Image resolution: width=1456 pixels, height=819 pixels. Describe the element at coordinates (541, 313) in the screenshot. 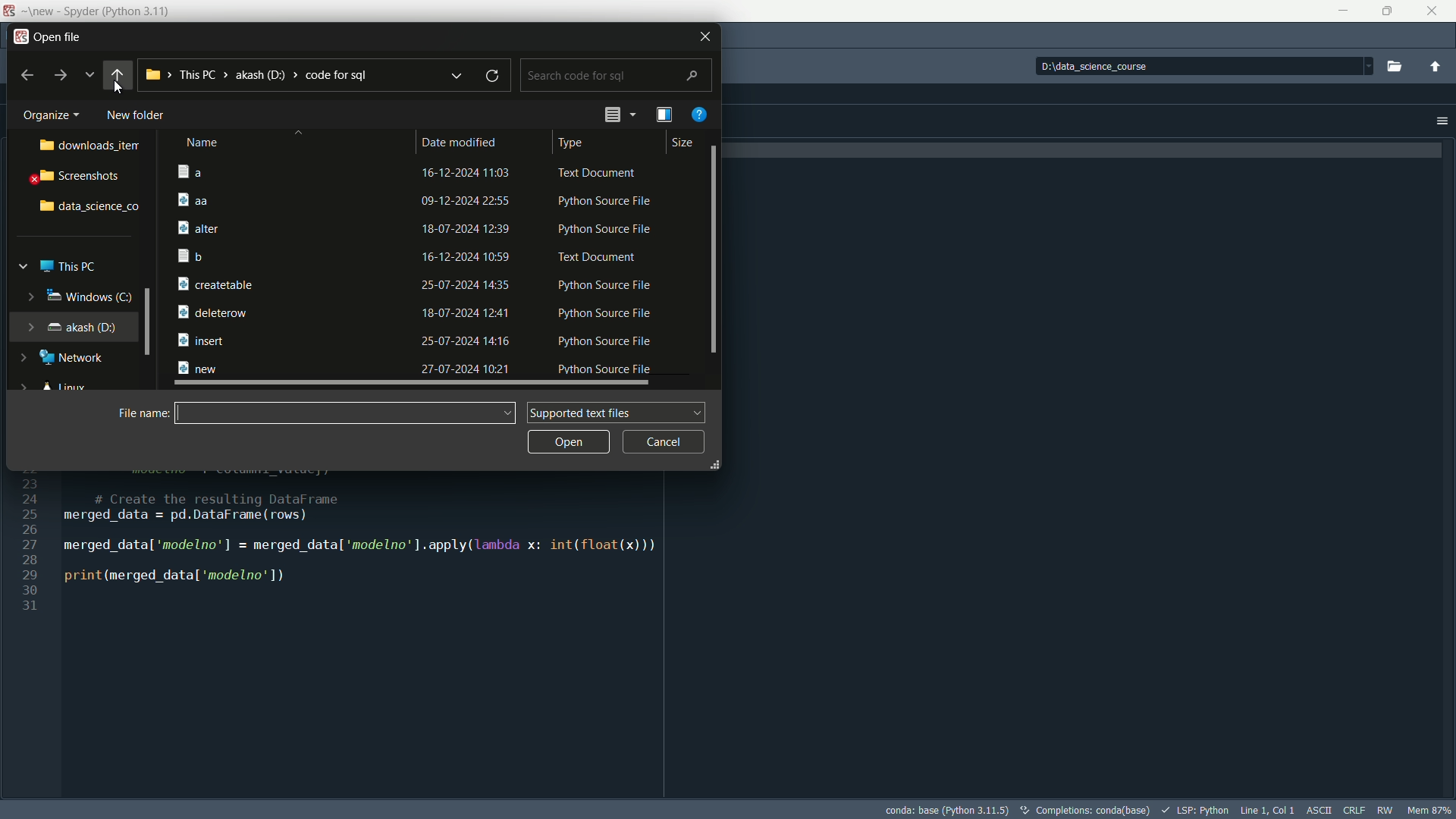

I see `18-07-2024 12:41 Python Source File` at that location.